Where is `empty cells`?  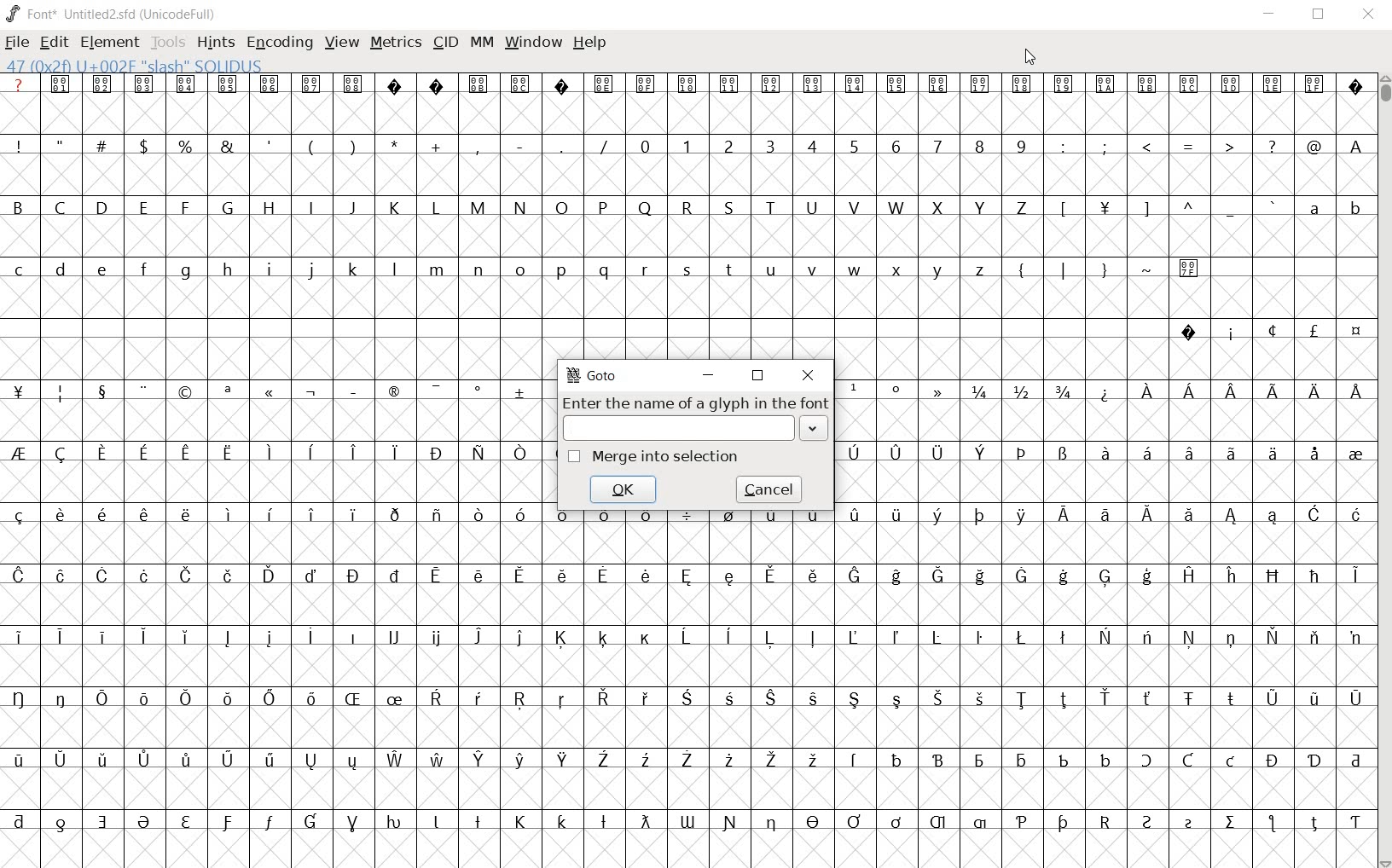
empty cells is located at coordinates (690, 237).